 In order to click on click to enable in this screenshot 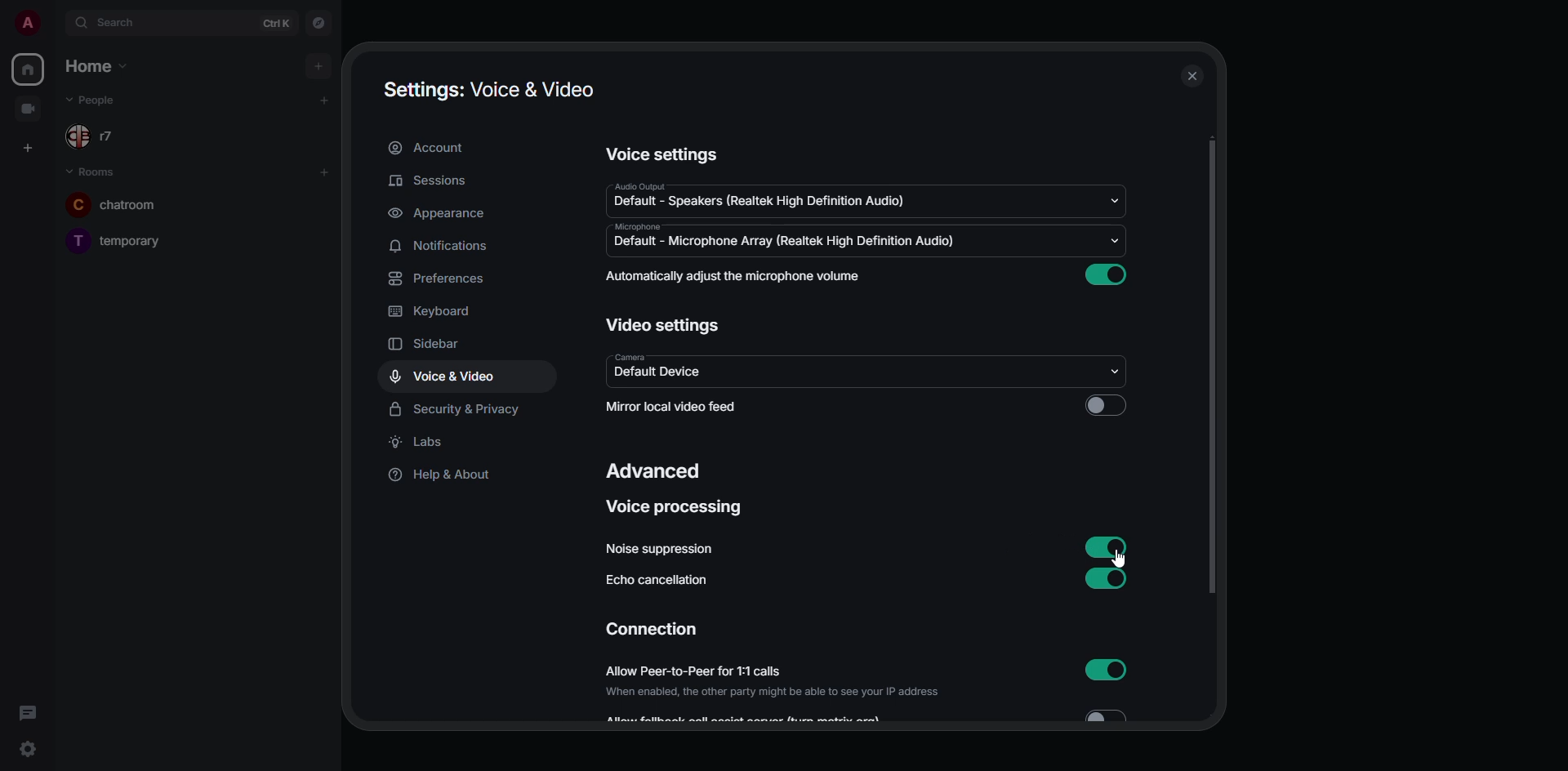, I will do `click(1108, 403)`.